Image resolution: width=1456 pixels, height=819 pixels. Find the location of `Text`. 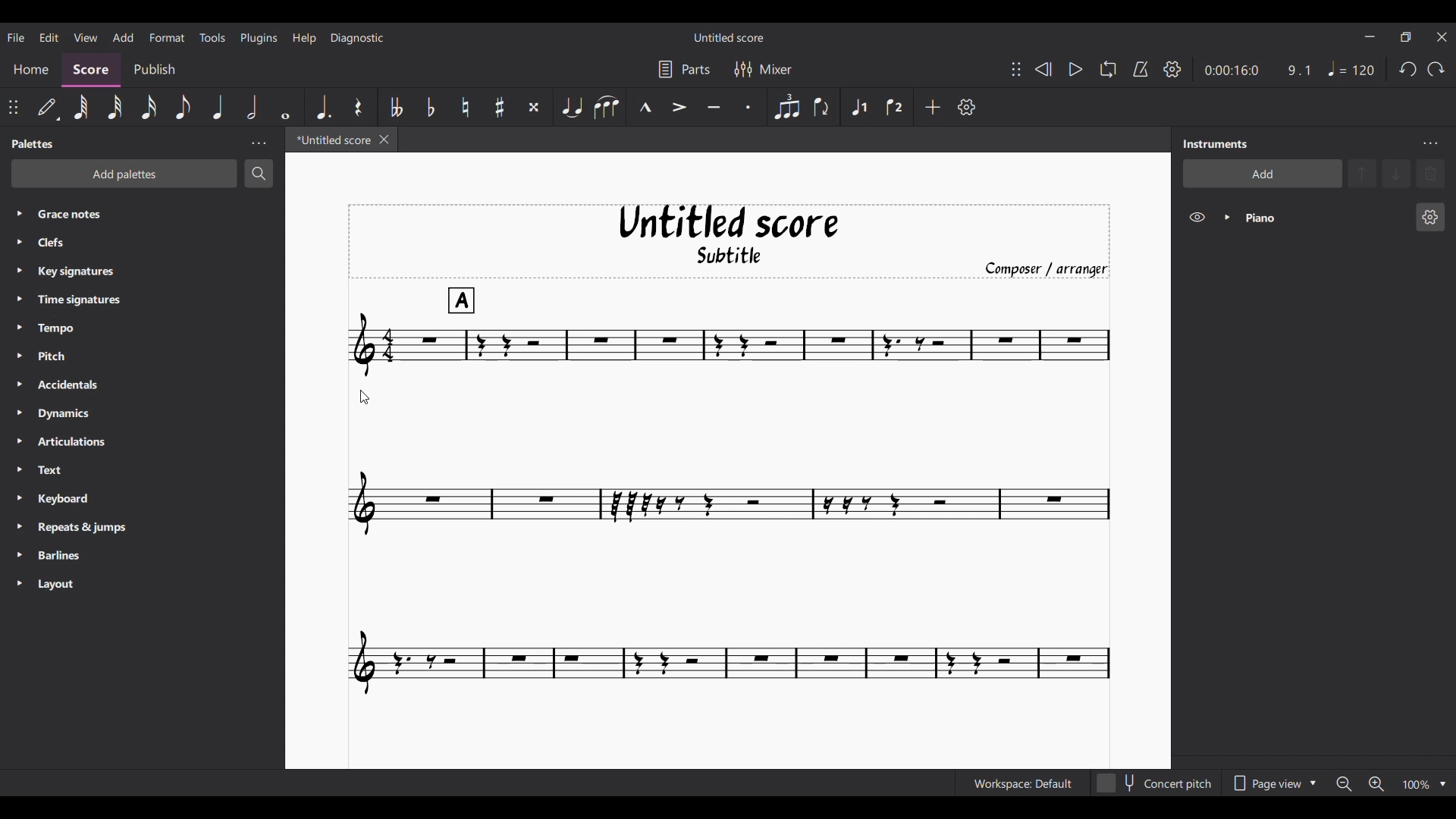

Text is located at coordinates (80, 471).